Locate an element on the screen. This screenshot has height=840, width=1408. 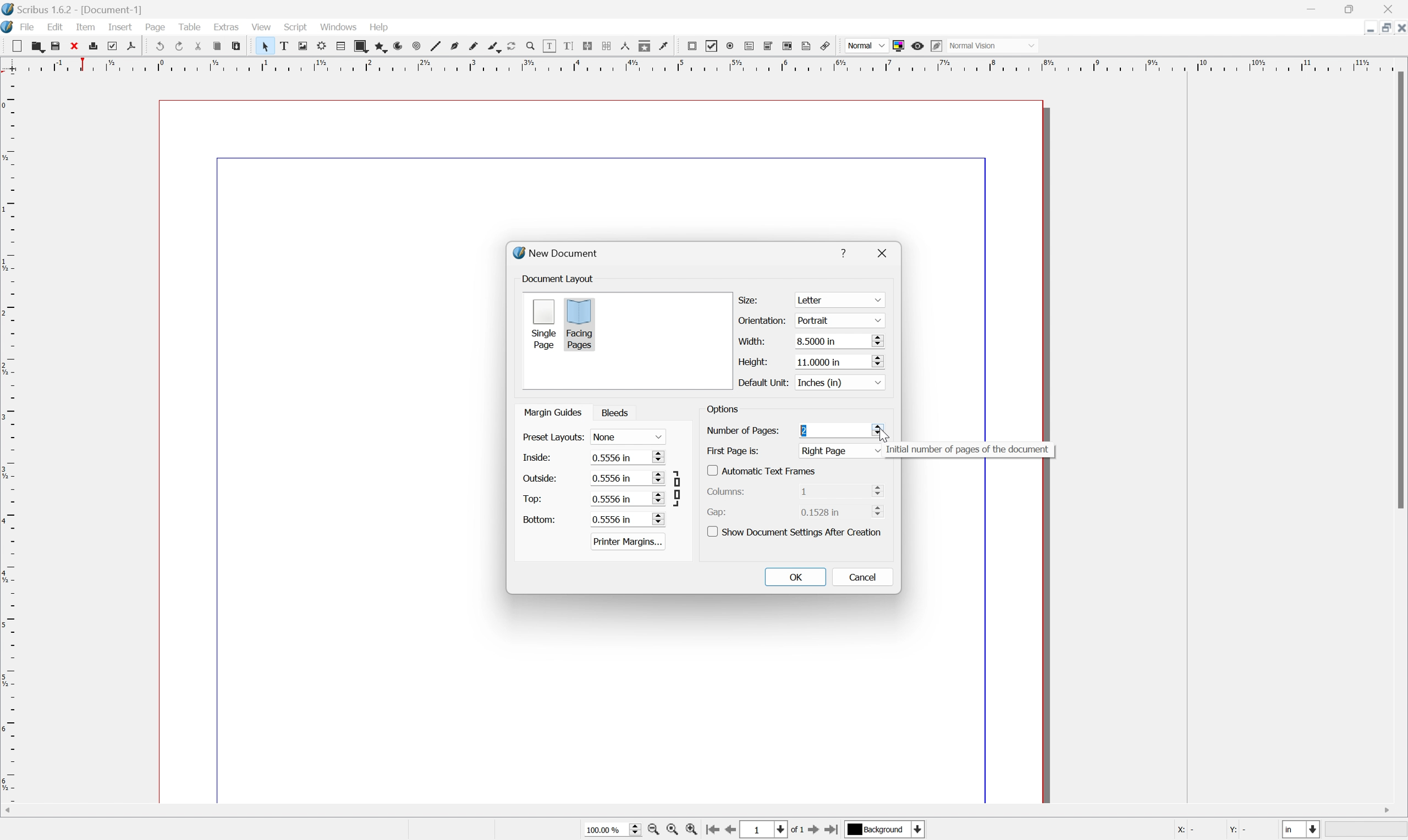
automatic text frames is located at coordinates (763, 470).